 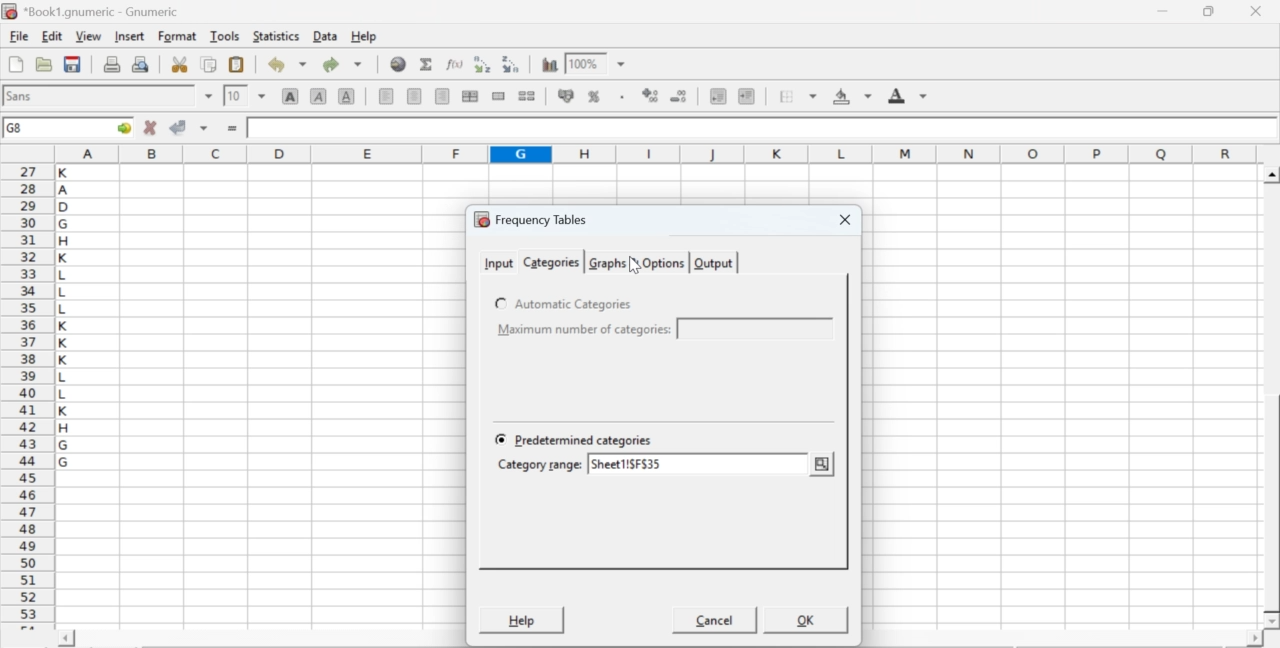 What do you see at coordinates (499, 96) in the screenshot?
I see `merge a range of cells` at bounding box center [499, 96].